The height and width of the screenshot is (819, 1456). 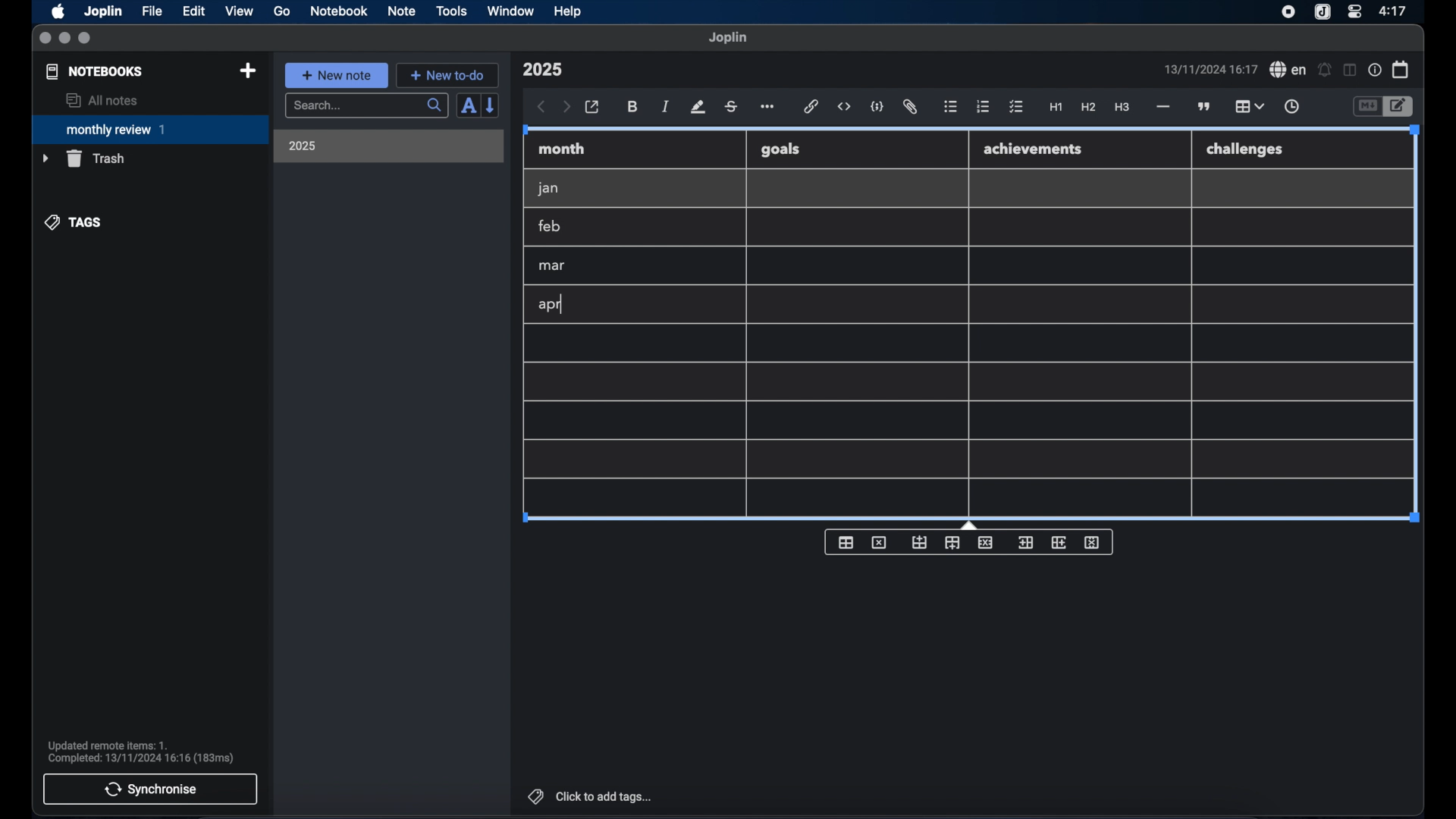 What do you see at coordinates (102, 100) in the screenshot?
I see `all notes` at bounding box center [102, 100].